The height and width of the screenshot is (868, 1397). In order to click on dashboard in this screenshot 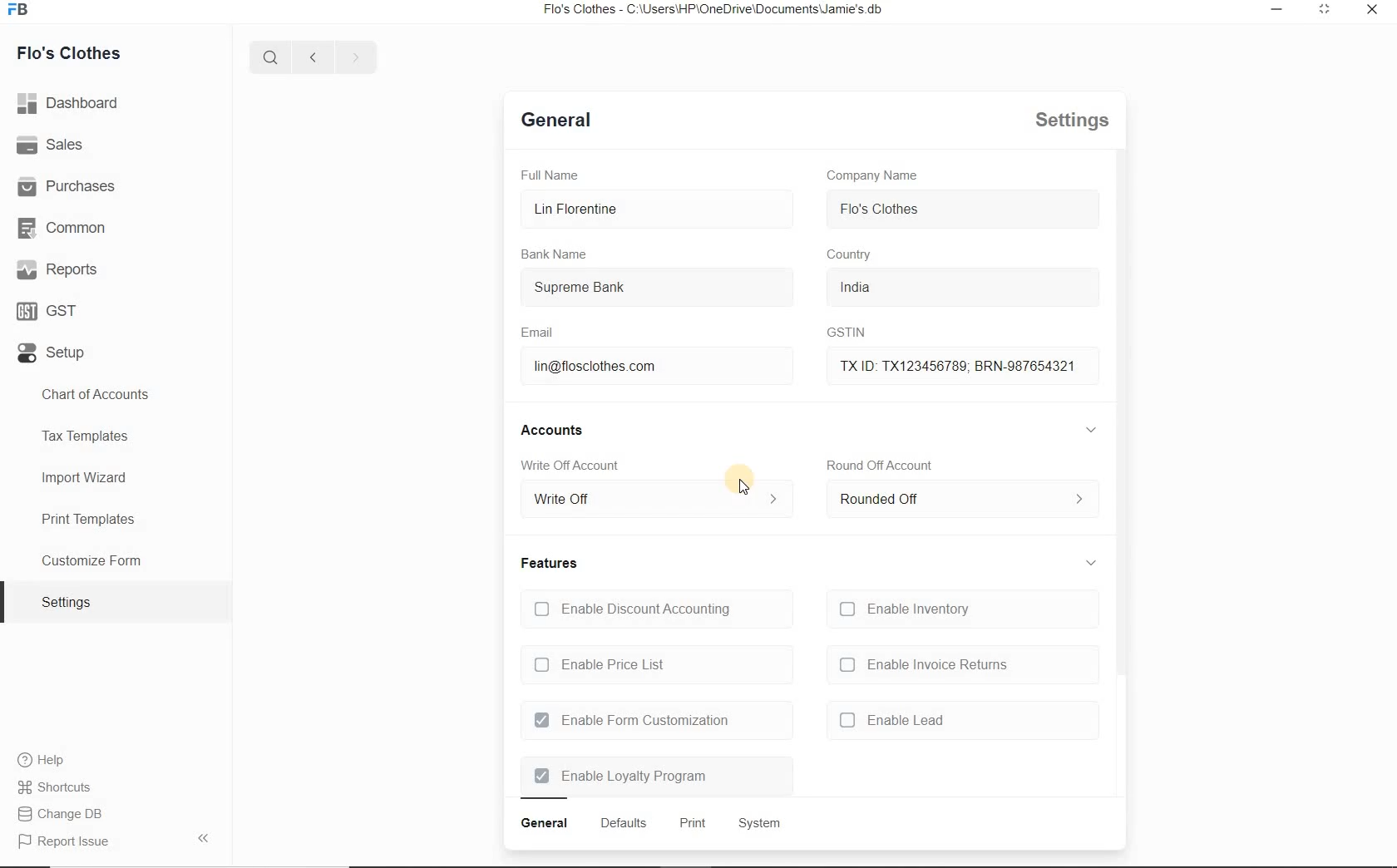, I will do `click(70, 103)`.